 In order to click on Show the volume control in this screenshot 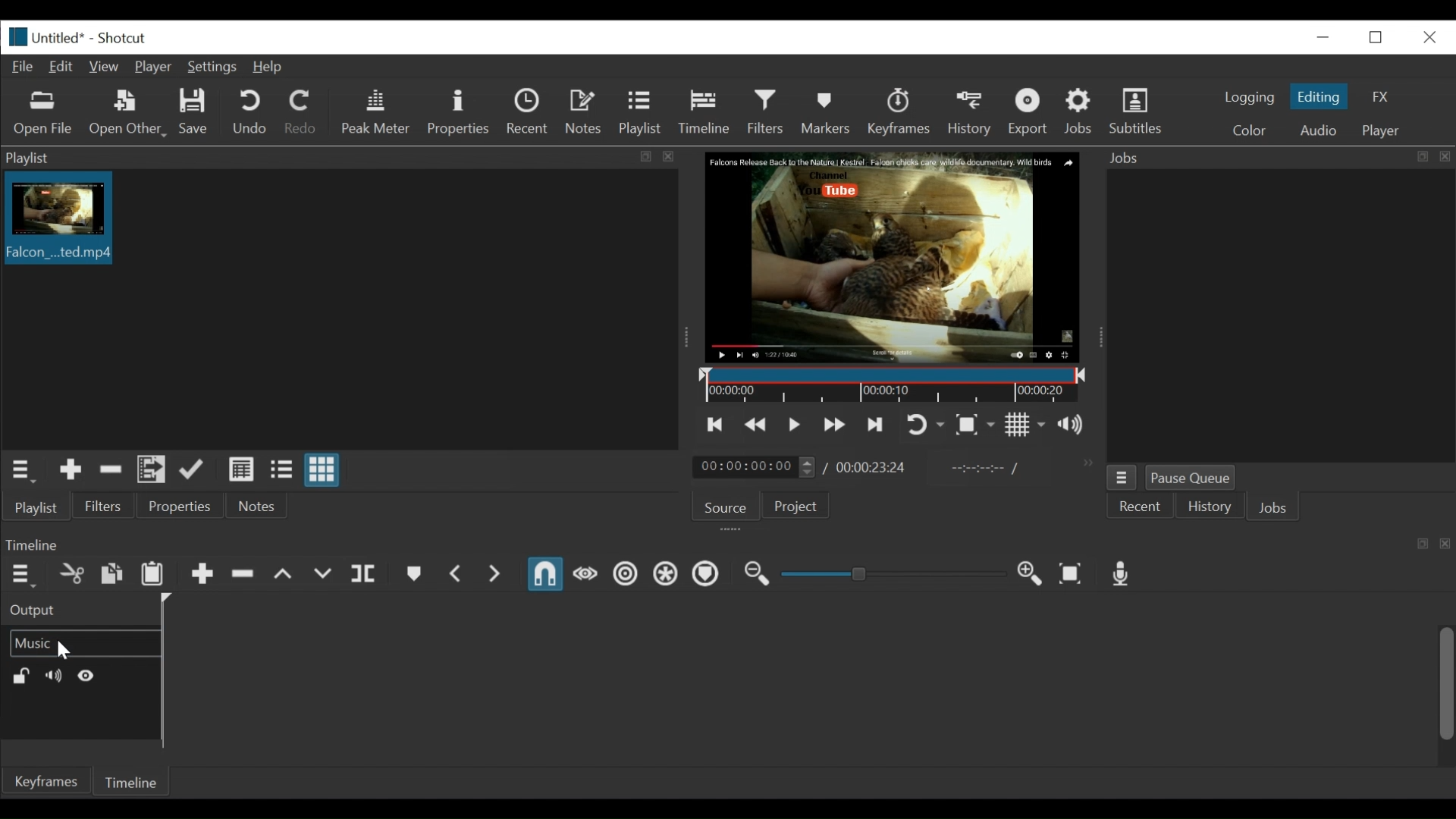, I will do `click(1072, 423)`.